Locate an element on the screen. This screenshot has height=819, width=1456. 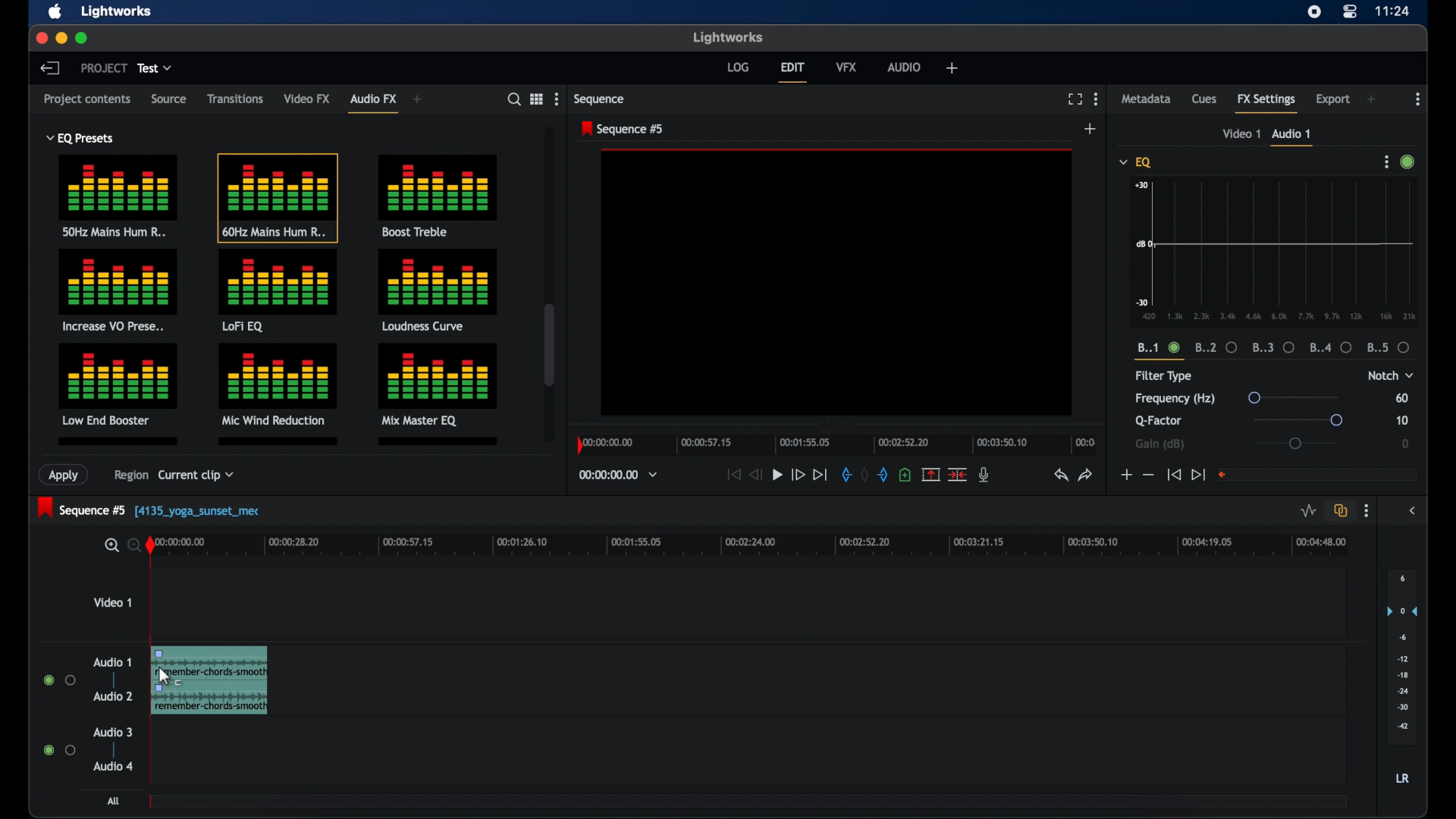
play is located at coordinates (777, 475).